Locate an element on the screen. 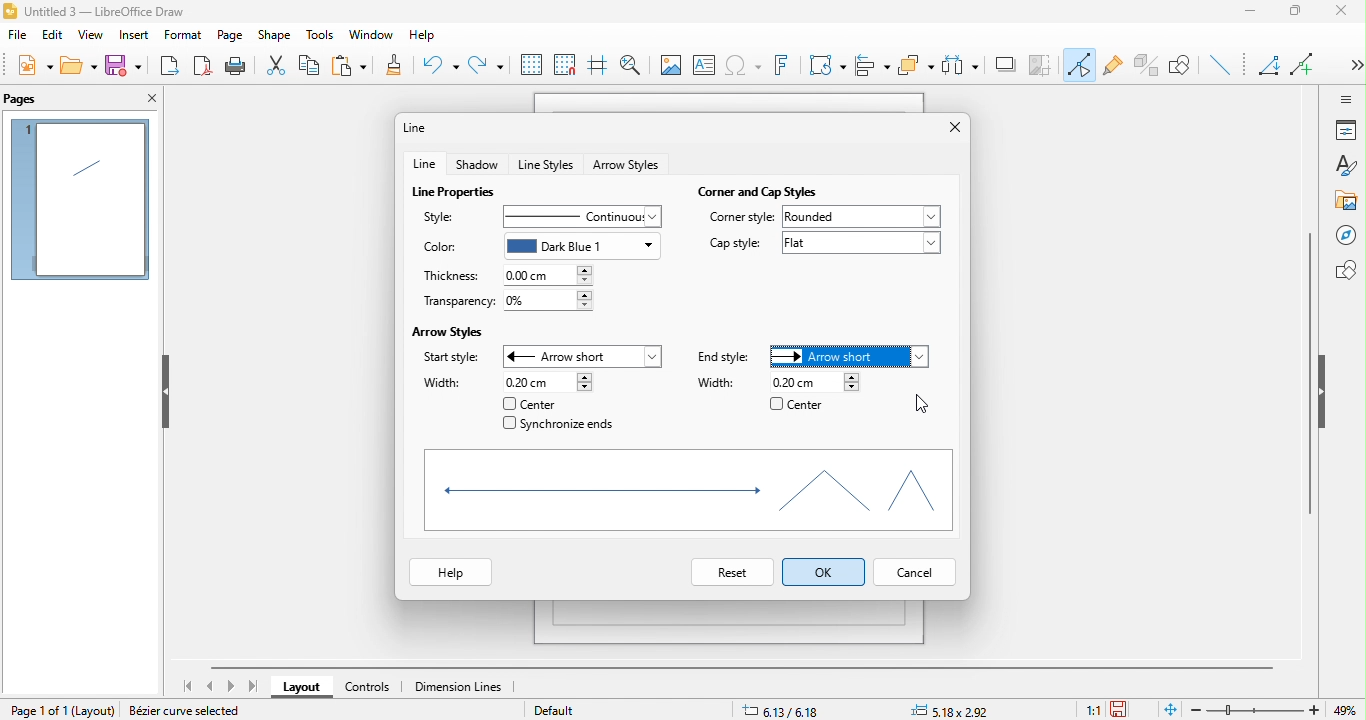 This screenshot has width=1366, height=720. shadow is located at coordinates (479, 163).